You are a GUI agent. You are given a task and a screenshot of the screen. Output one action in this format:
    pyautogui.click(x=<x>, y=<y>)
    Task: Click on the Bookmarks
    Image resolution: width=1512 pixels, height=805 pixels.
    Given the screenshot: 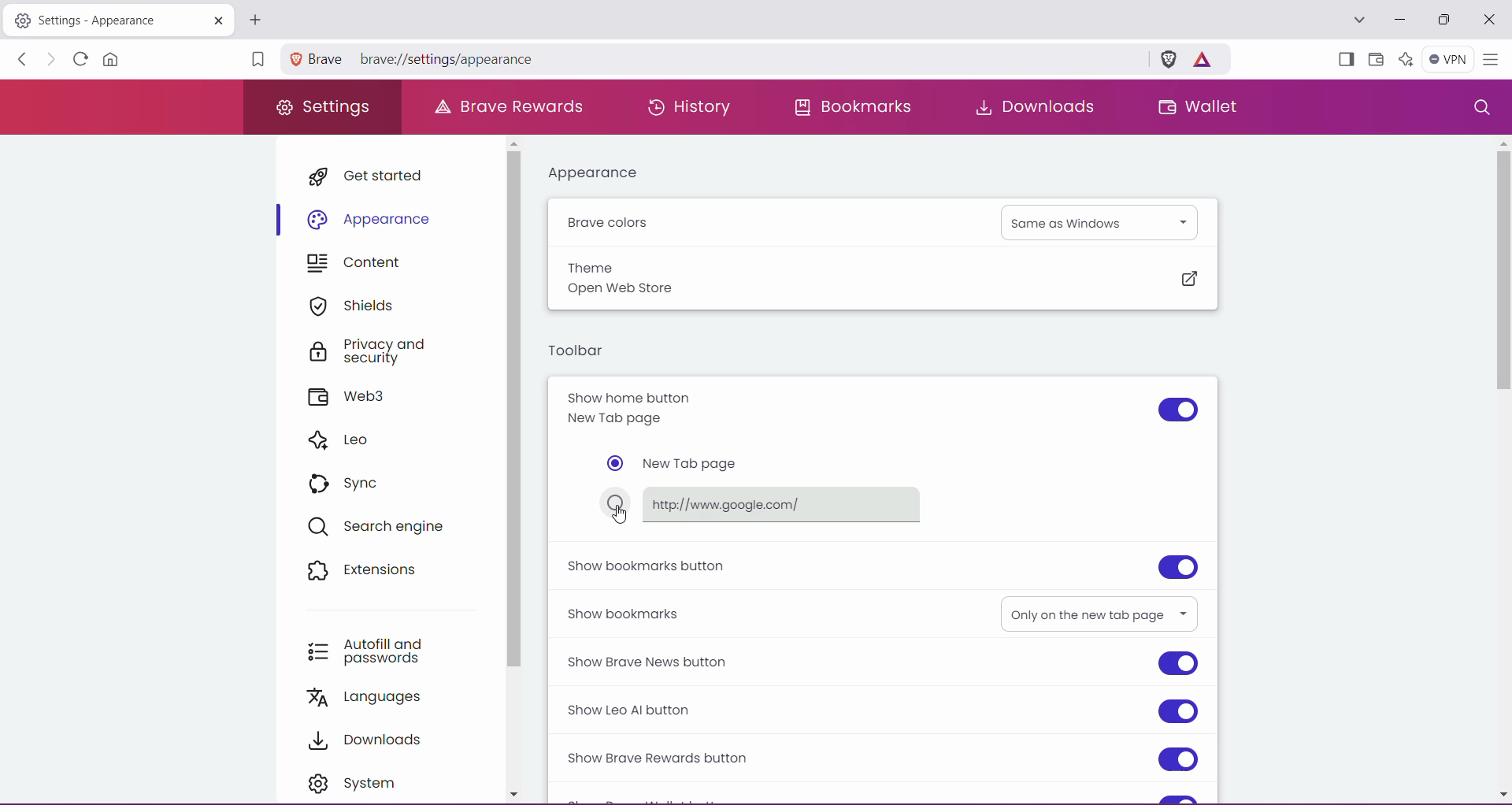 What is the action you would take?
    pyautogui.click(x=854, y=106)
    